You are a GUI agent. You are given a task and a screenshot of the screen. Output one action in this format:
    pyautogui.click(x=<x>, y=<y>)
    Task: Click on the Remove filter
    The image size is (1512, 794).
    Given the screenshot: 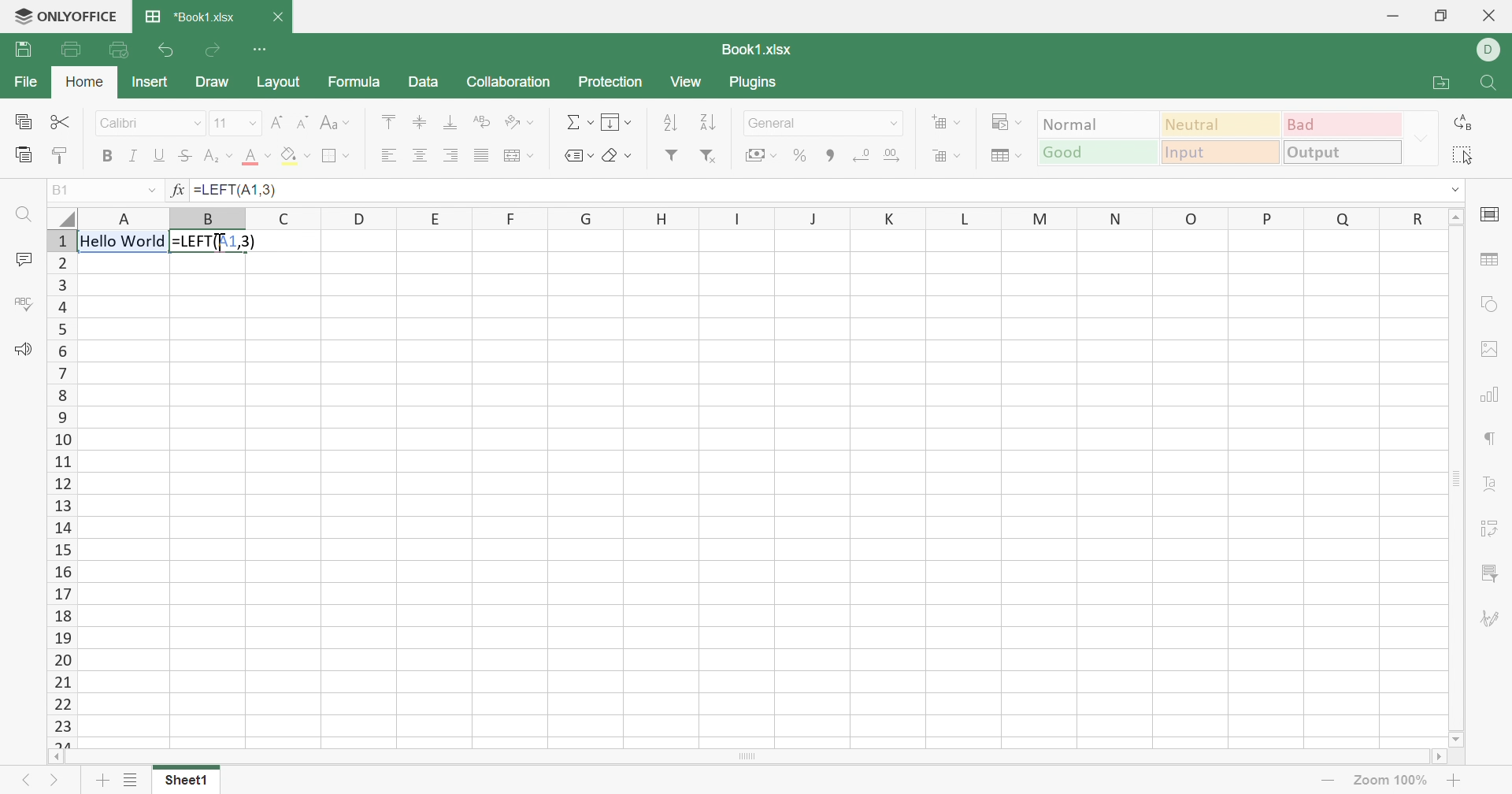 What is the action you would take?
    pyautogui.click(x=708, y=158)
    